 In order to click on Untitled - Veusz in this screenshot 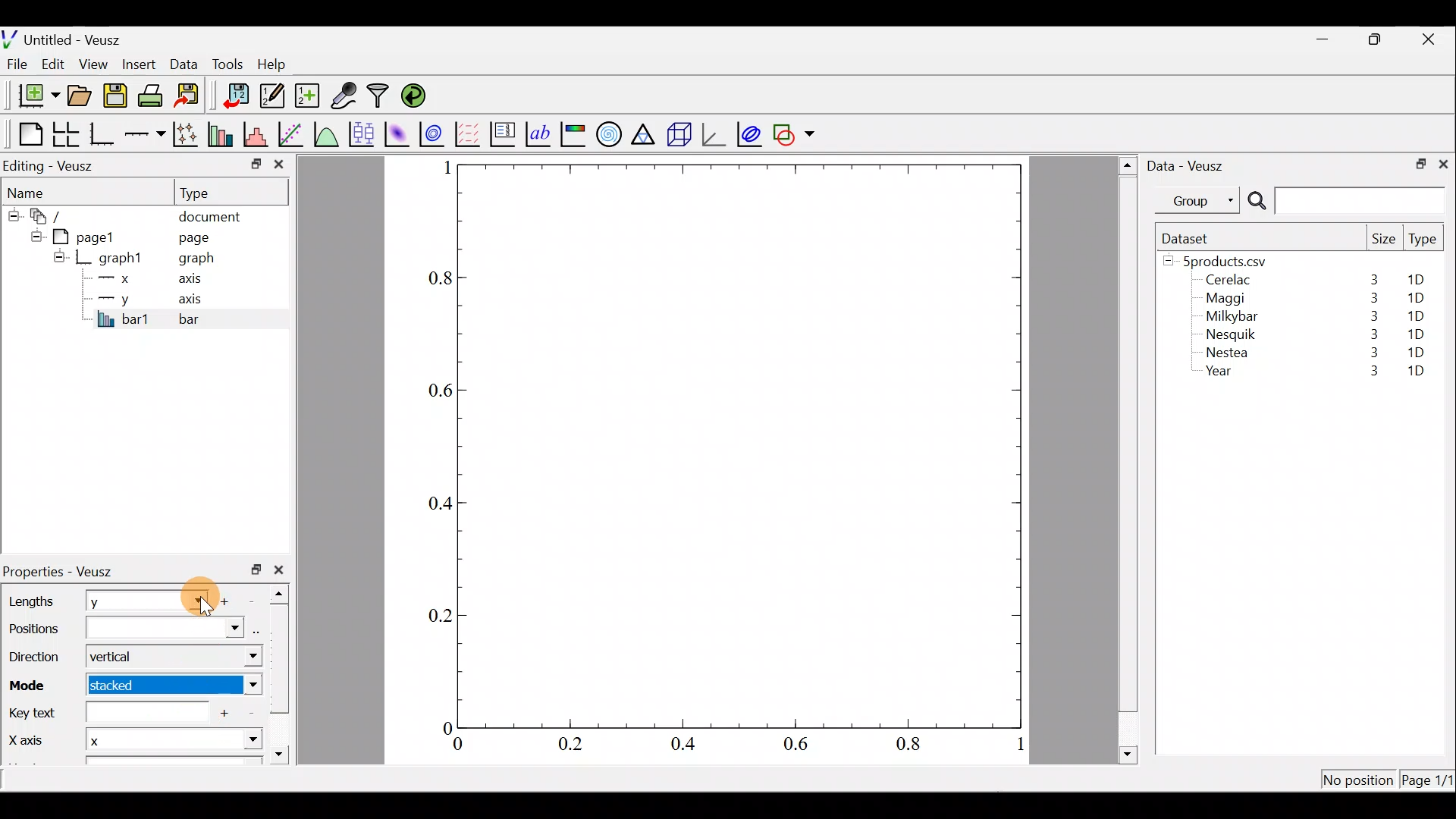, I will do `click(67, 37)`.